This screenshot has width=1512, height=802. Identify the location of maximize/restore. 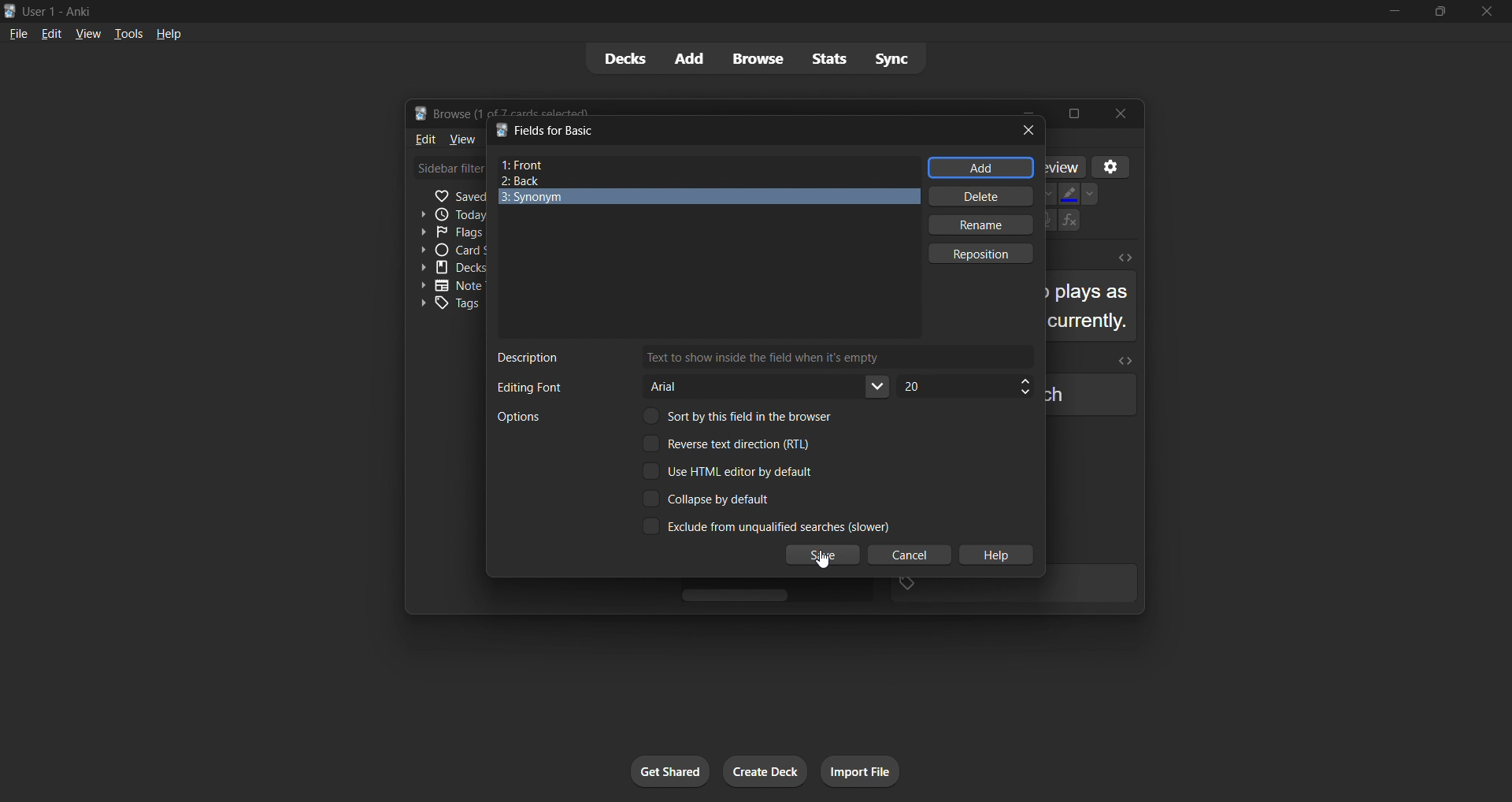
(1438, 13).